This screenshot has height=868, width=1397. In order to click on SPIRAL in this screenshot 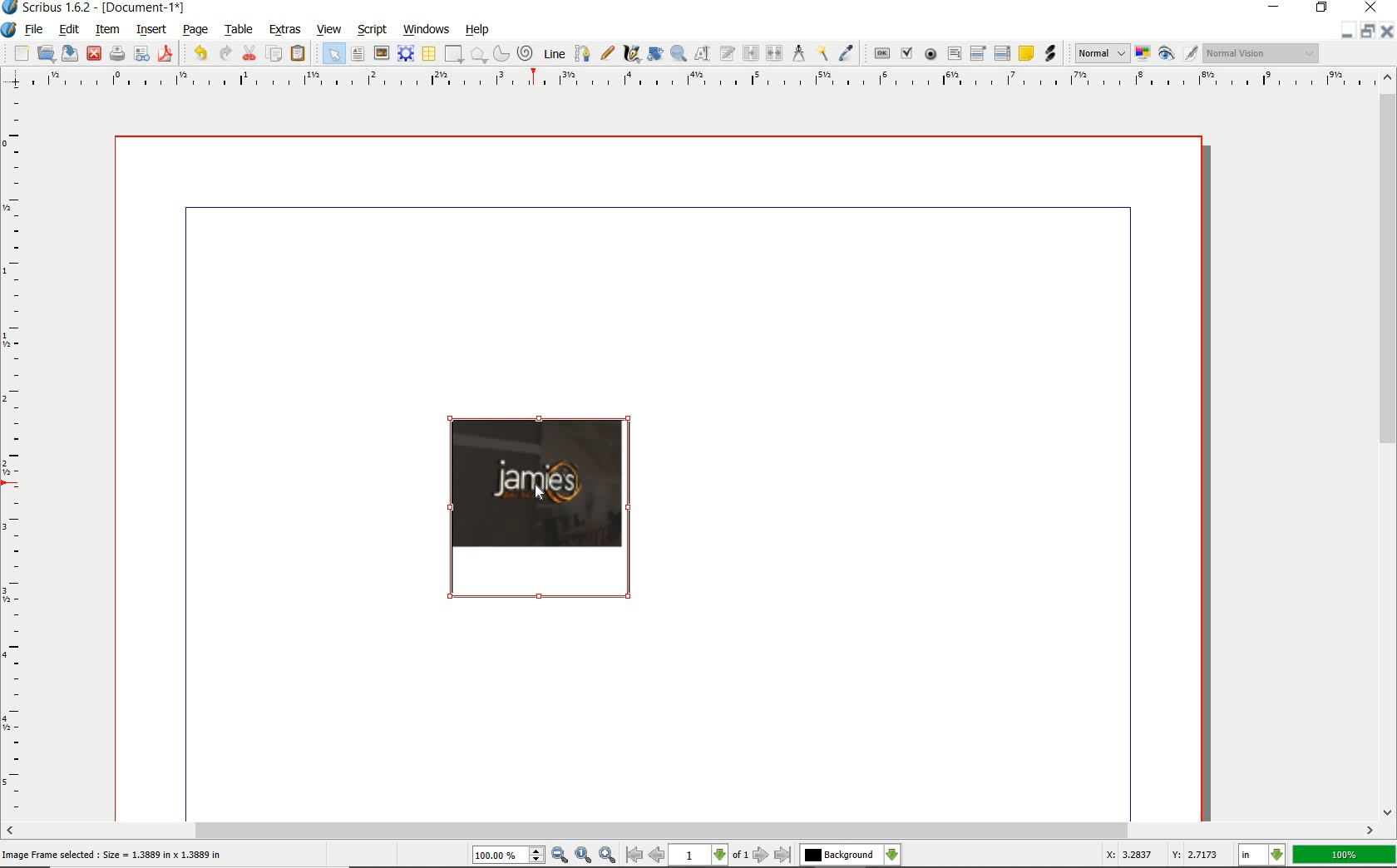, I will do `click(526, 52)`.